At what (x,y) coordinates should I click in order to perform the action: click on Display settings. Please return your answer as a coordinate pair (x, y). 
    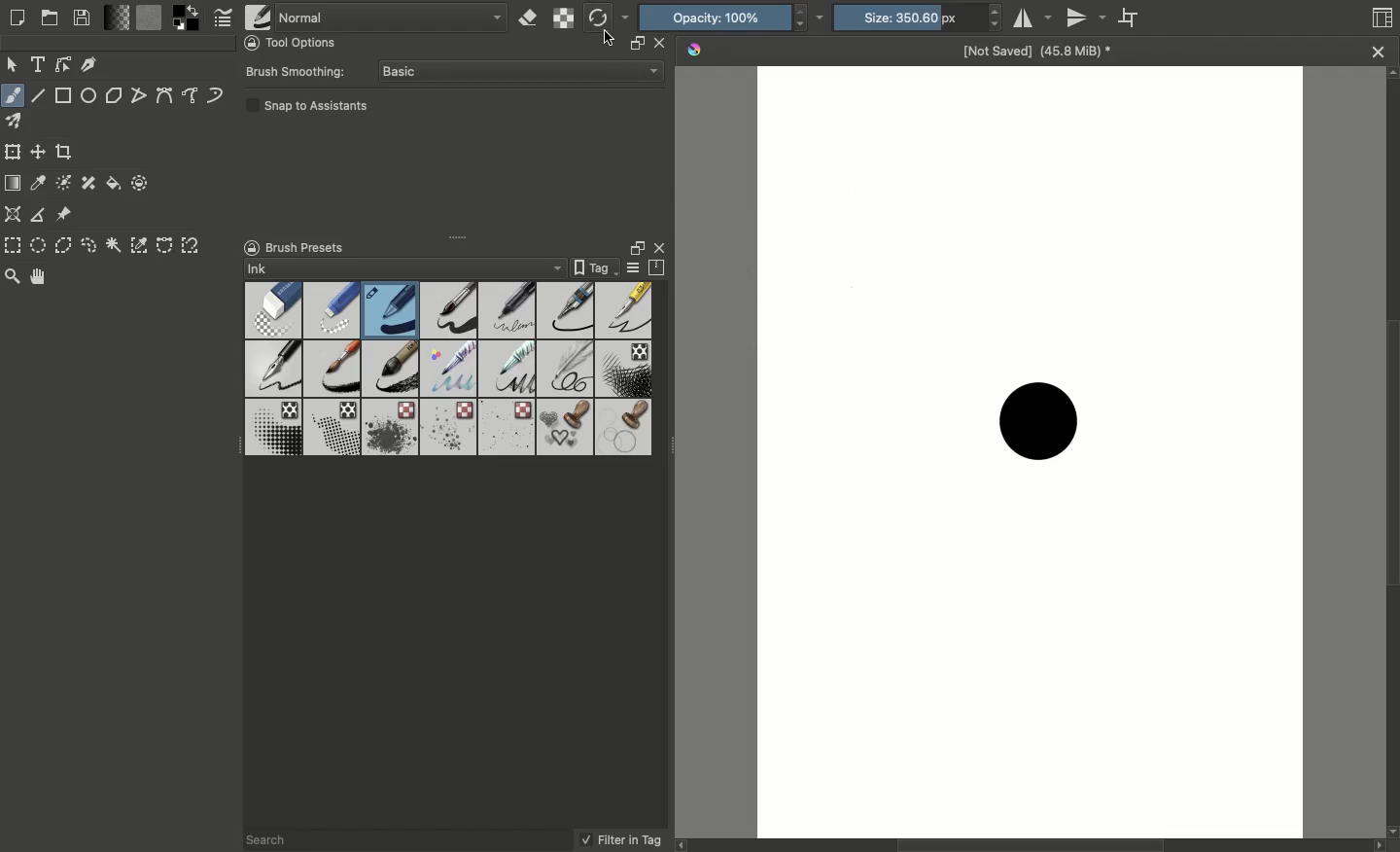
    Looking at the image, I should click on (634, 269).